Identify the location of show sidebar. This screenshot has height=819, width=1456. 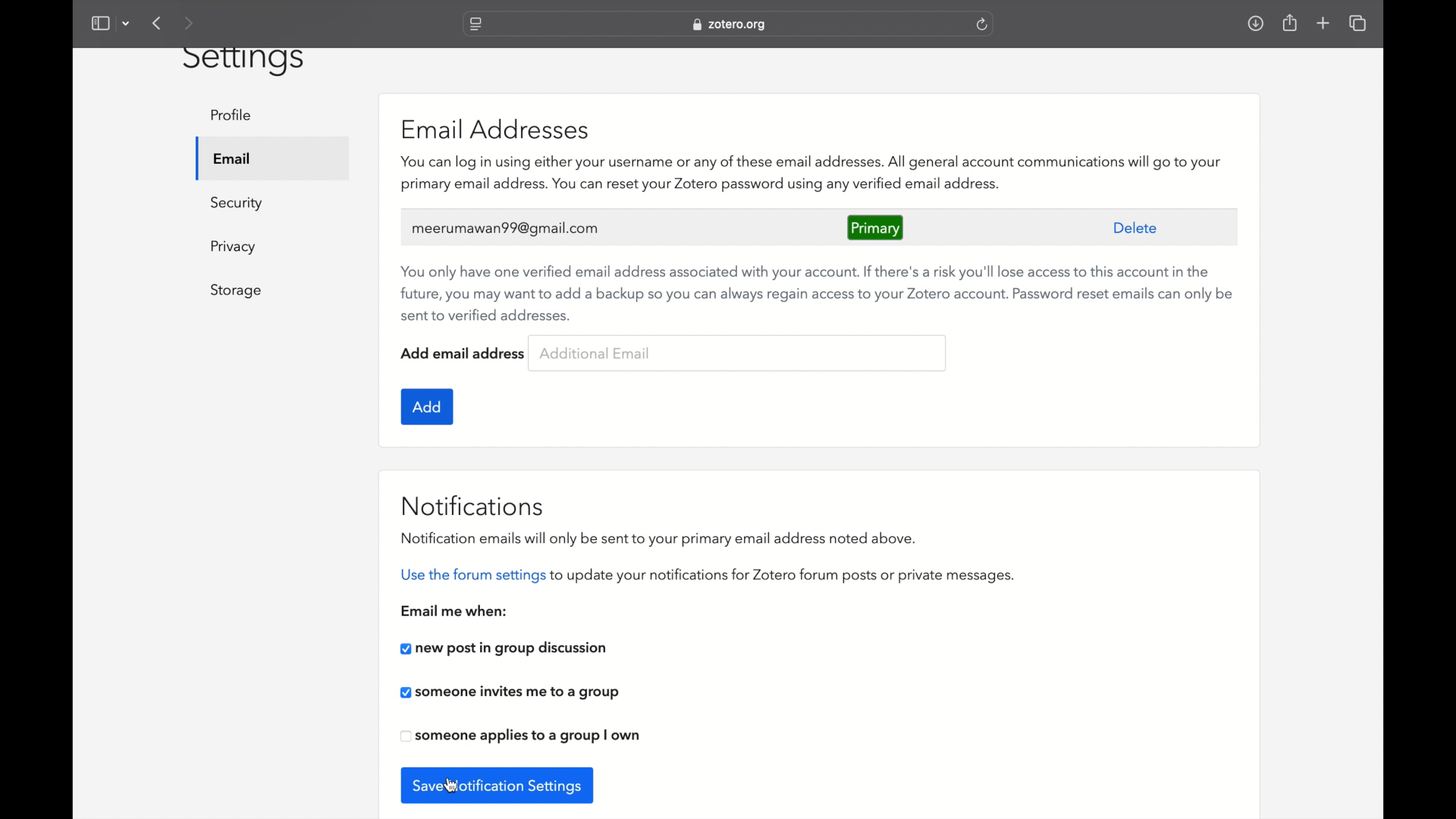
(99, 23).